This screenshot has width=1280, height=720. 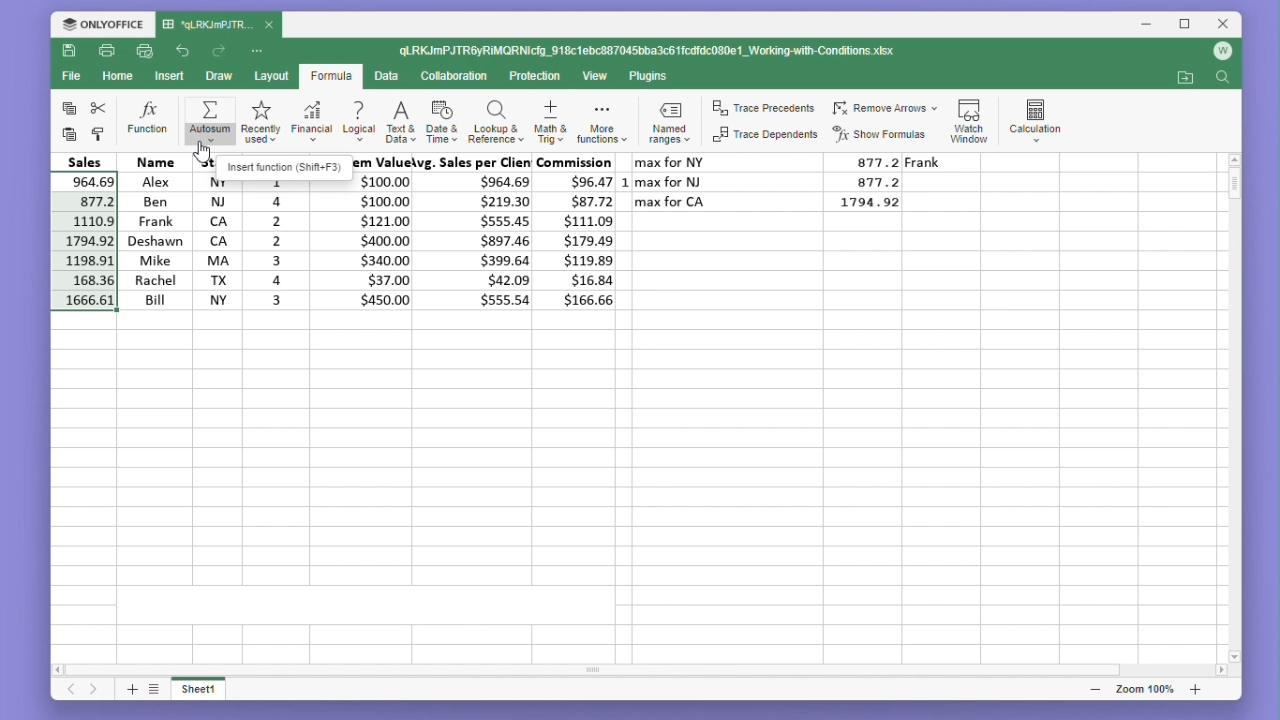 I want to click on Redo, so click(x=220, y=51).